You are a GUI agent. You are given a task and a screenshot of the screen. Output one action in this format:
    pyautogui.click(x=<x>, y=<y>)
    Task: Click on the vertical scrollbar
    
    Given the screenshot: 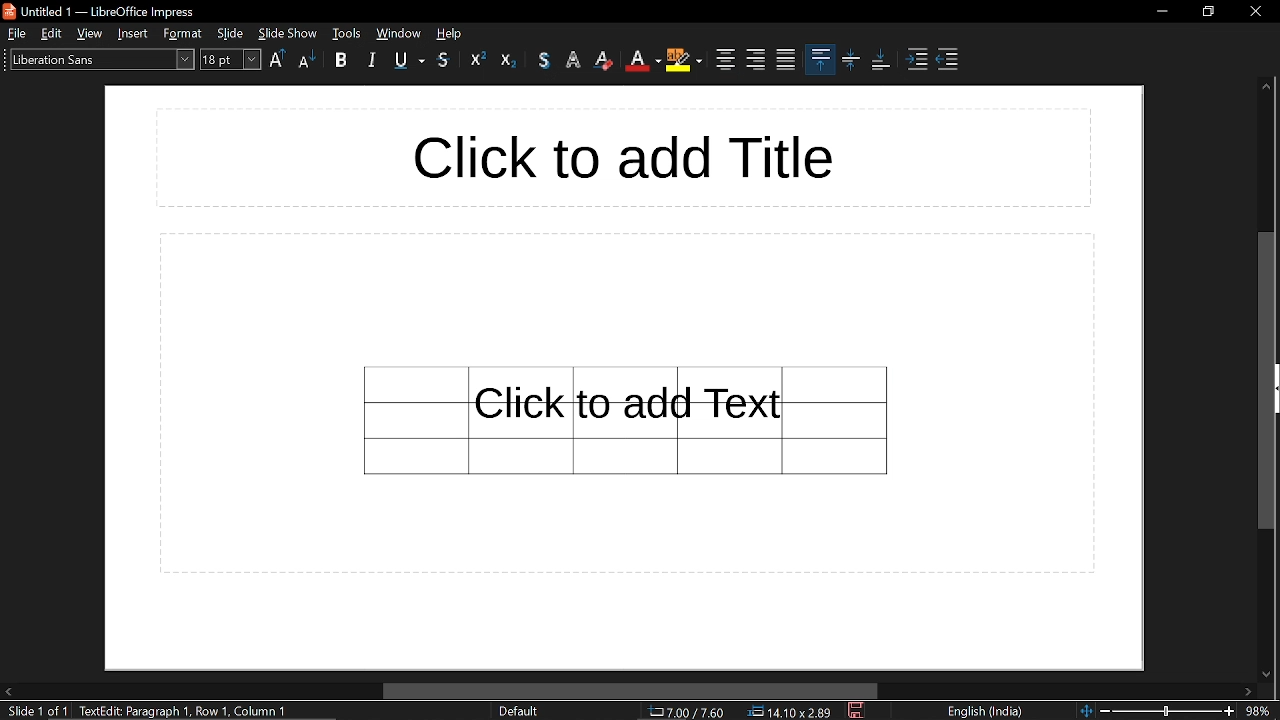 What is the action you would take?
    pyautogui.click(x=1265, y=379)
    